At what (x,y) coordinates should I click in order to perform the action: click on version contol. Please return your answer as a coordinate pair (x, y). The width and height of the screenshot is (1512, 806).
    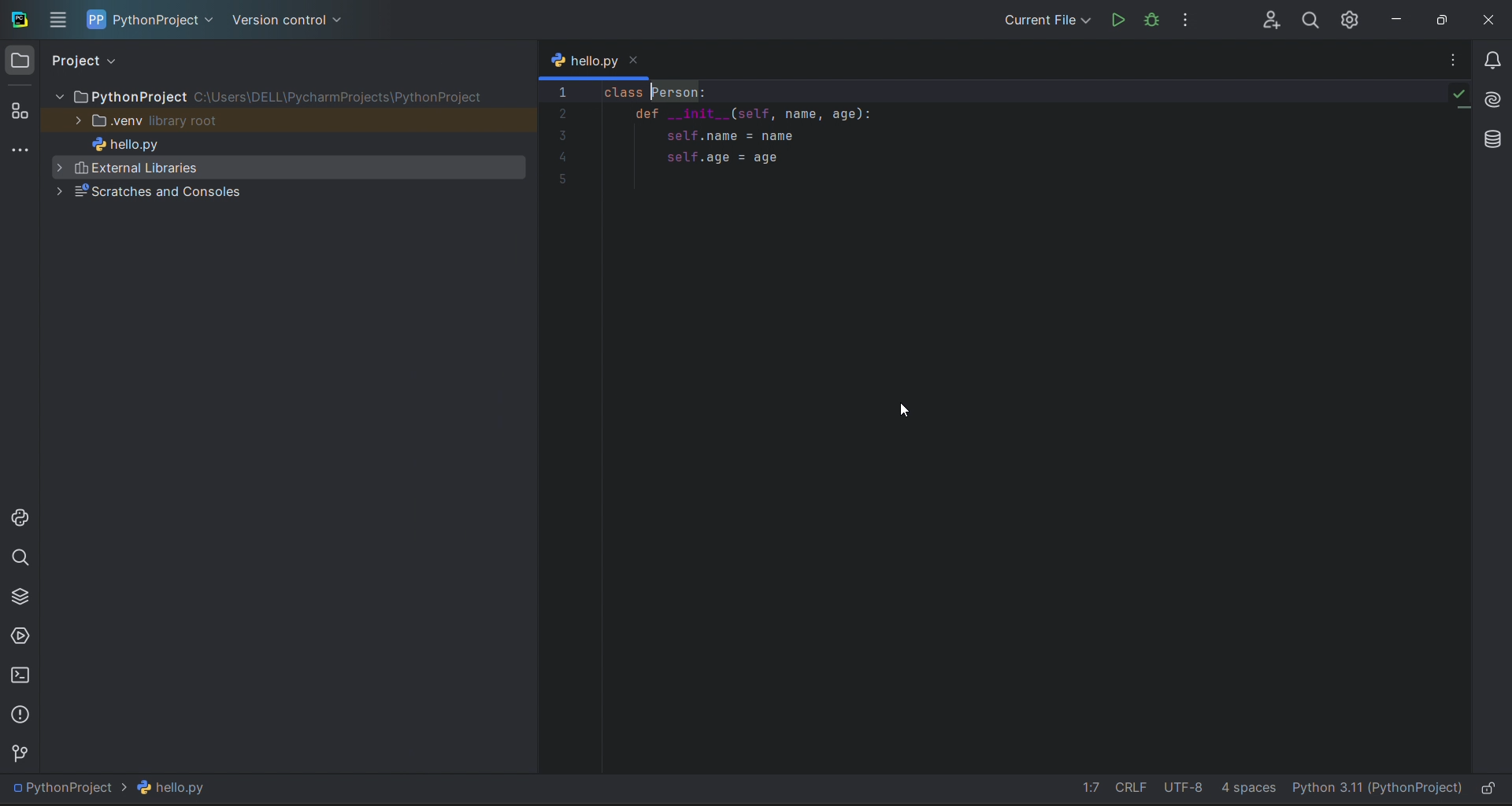
    Looking at the image, I should click on (22, 755).